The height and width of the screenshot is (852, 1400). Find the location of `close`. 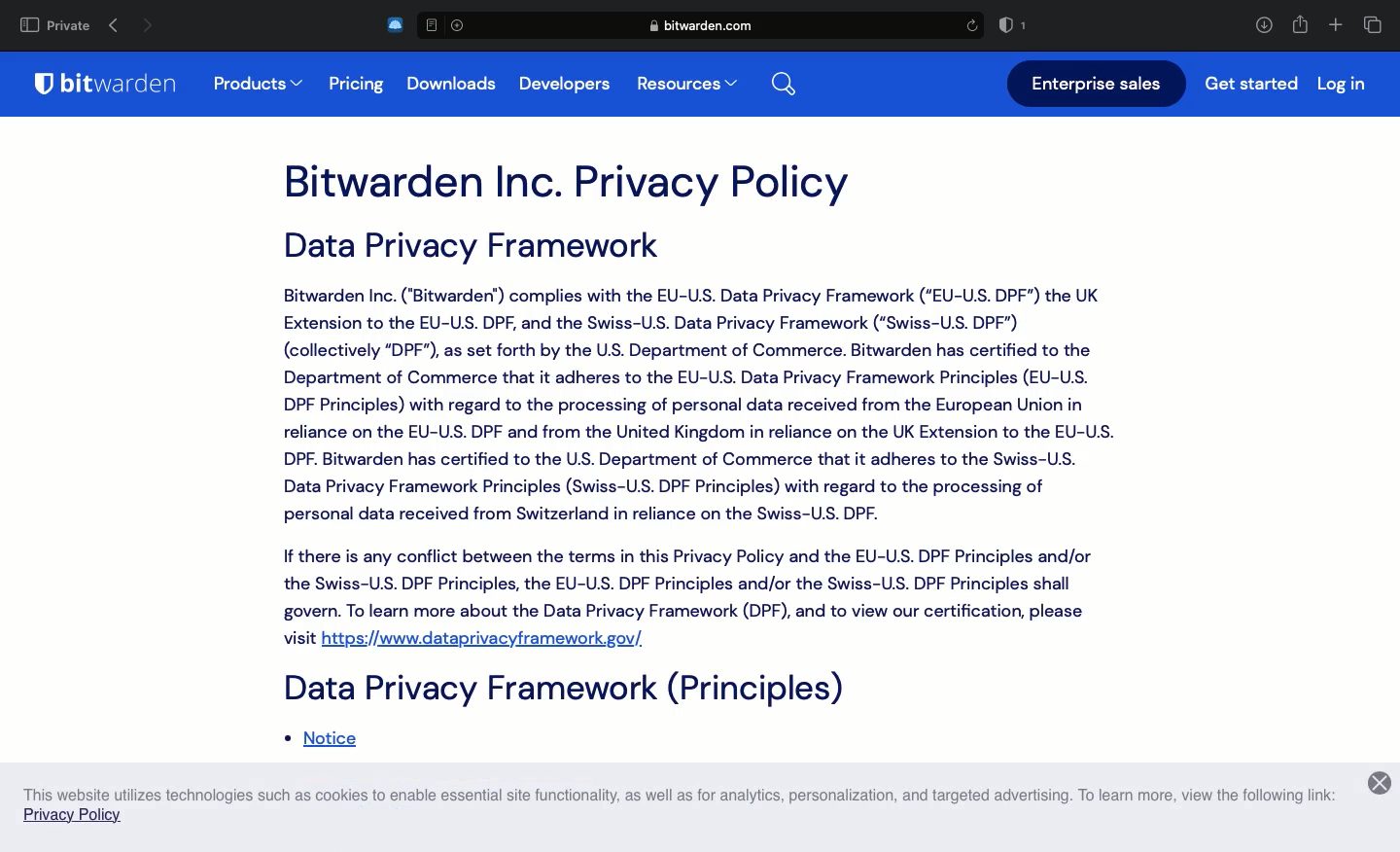

close is located at coordinates (1380, 785).